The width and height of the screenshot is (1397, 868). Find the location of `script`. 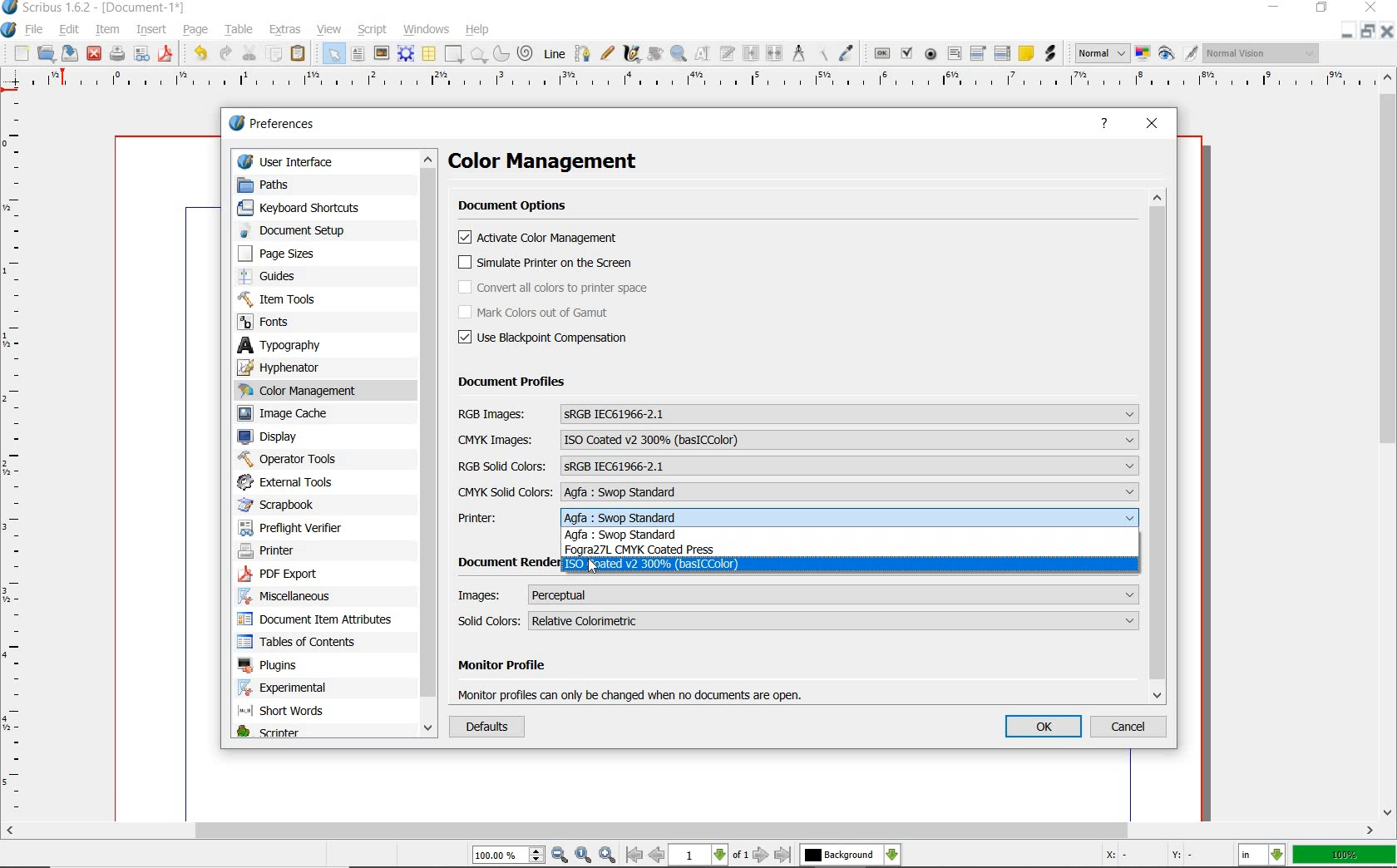

script is located at coordinates (373, 30).